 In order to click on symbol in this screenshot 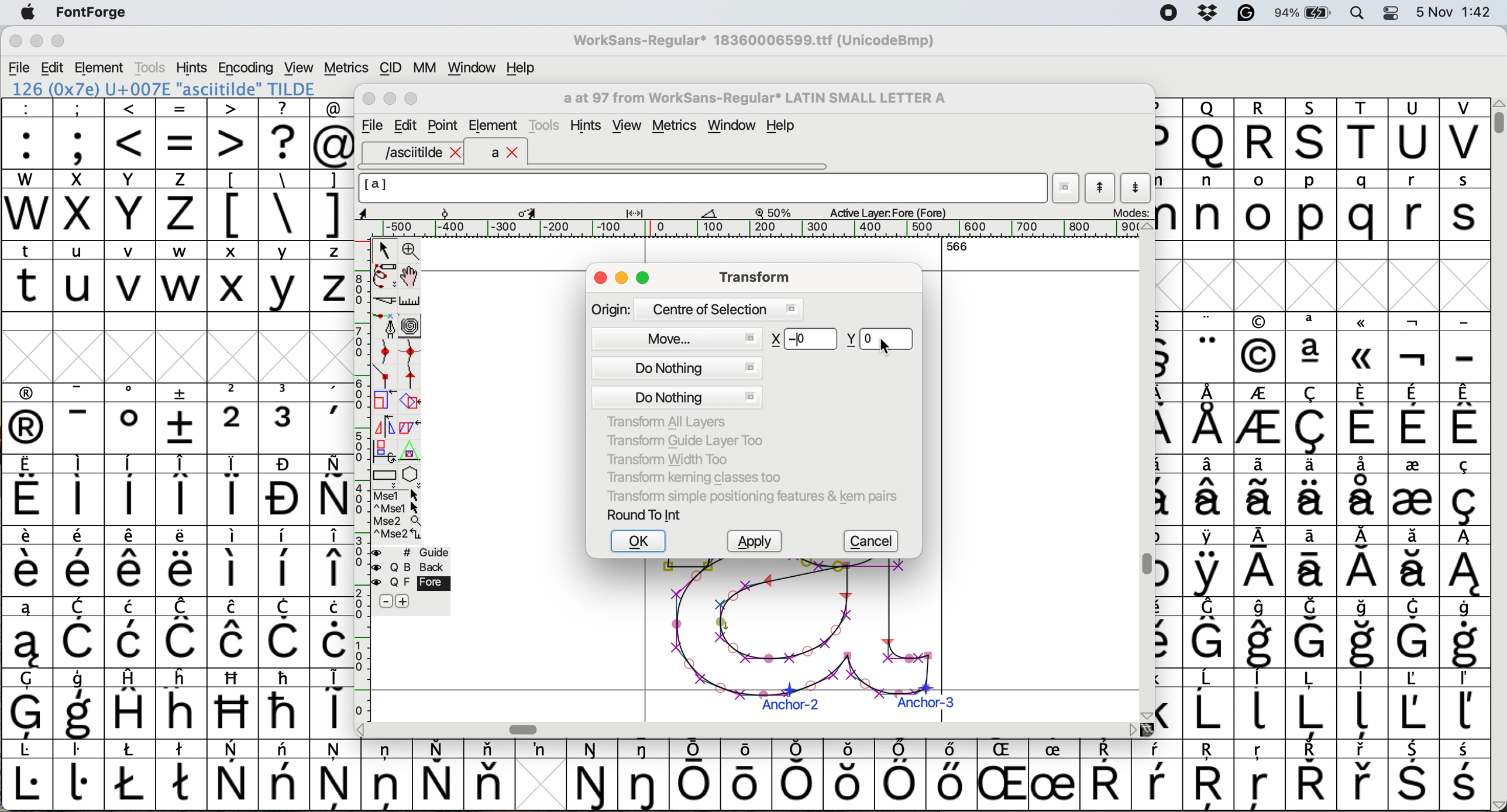, I will do `click(1262, 633)`.